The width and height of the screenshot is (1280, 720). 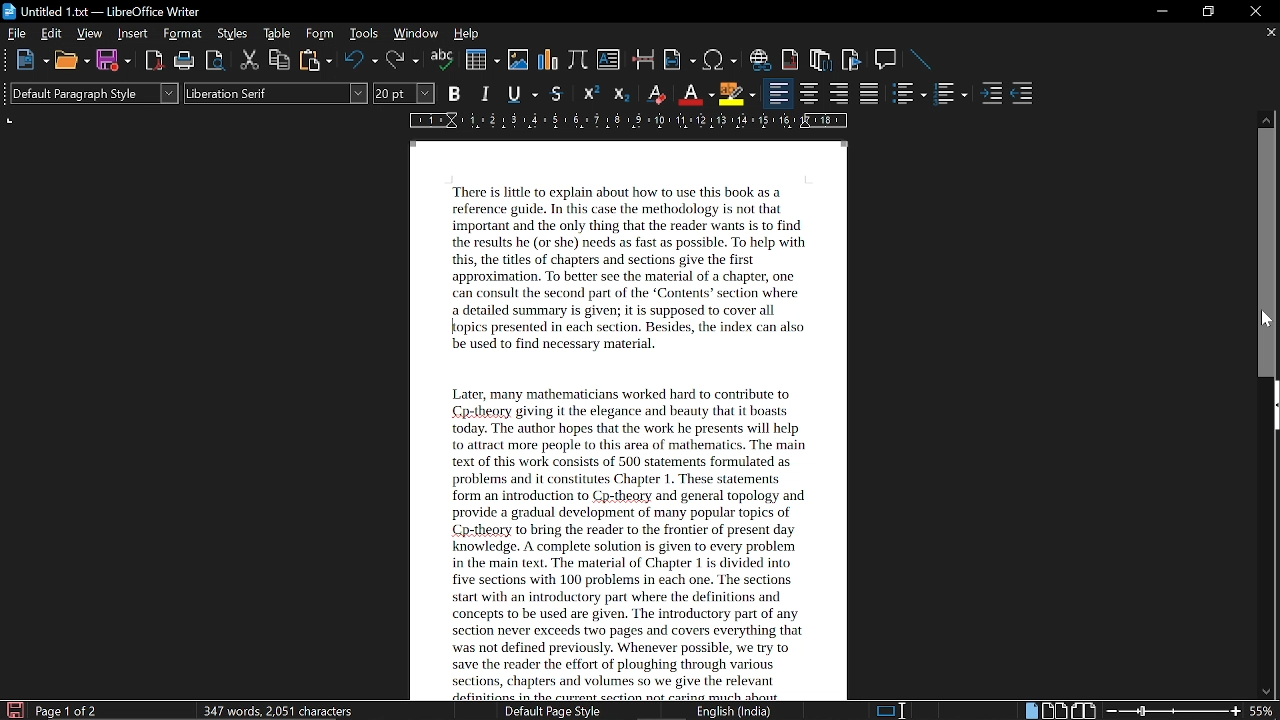 I want to click on highlight, so click(x=737, y=93).